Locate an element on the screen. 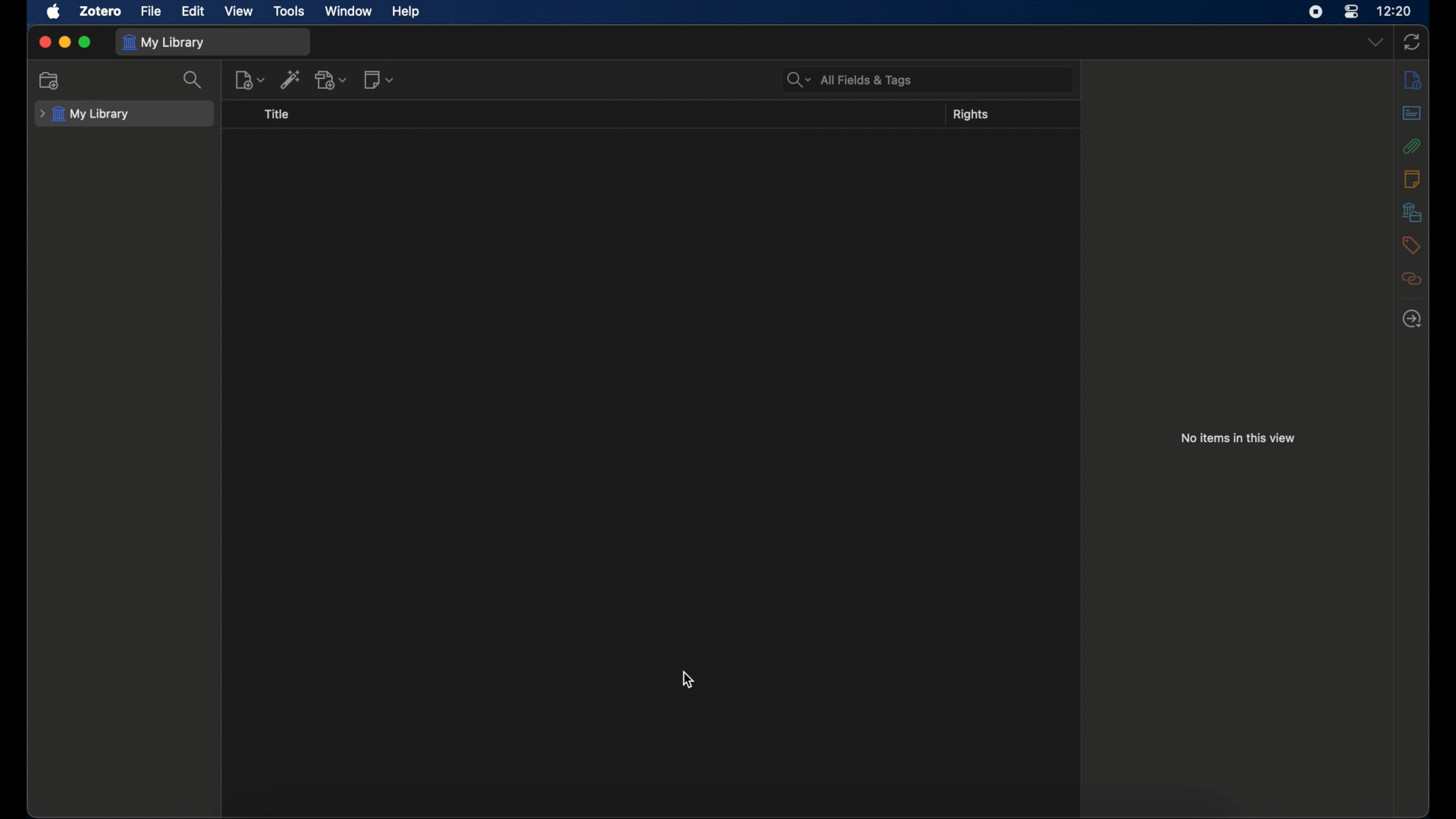 This screenshot has width=1456, height=819. cursor is located at coordinates (688, 680).